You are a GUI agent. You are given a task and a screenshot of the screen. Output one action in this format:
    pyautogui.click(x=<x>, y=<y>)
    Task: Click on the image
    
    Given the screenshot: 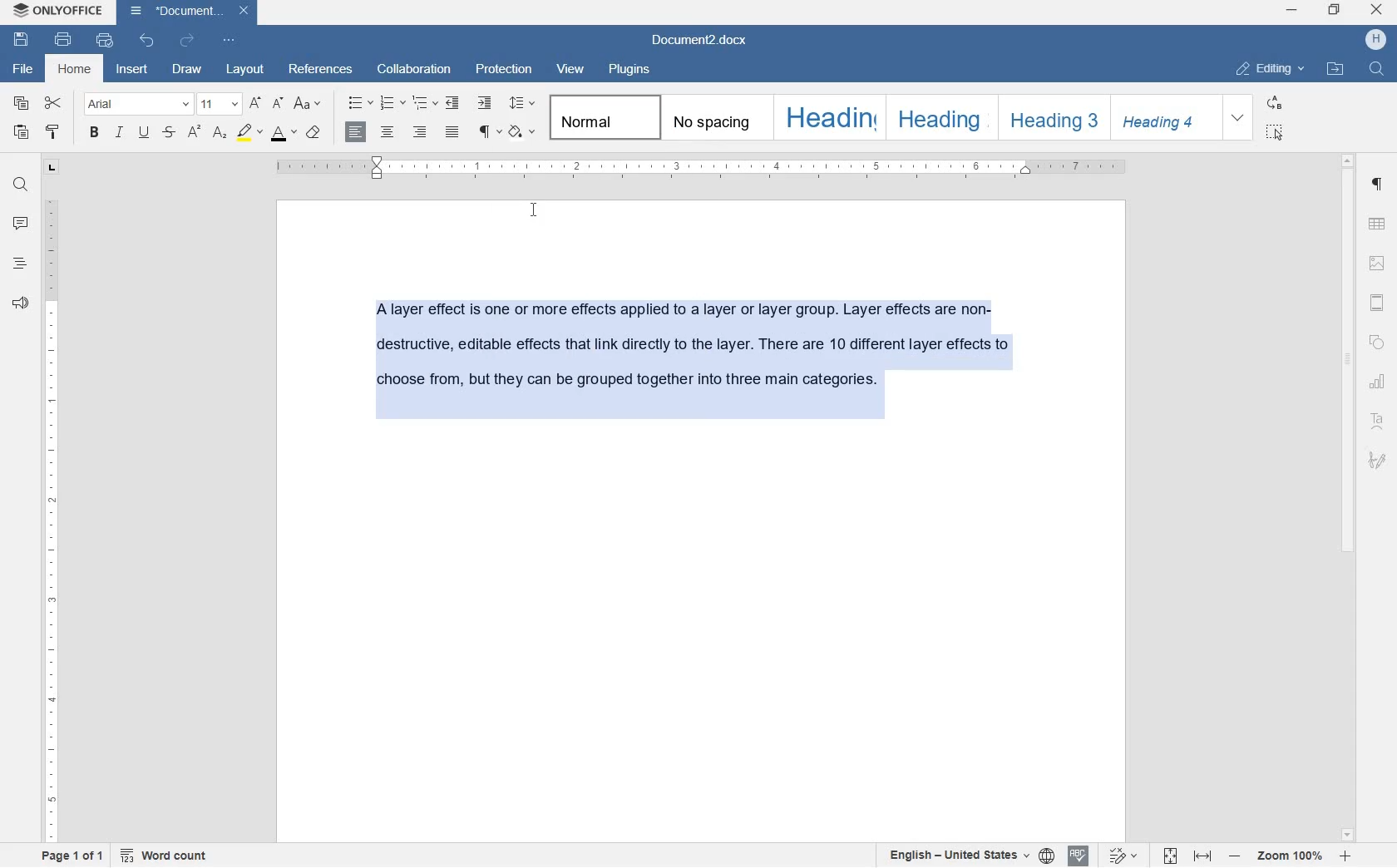 What is the action you would take?
    pyautogui.click(x=1377, y=263)
    